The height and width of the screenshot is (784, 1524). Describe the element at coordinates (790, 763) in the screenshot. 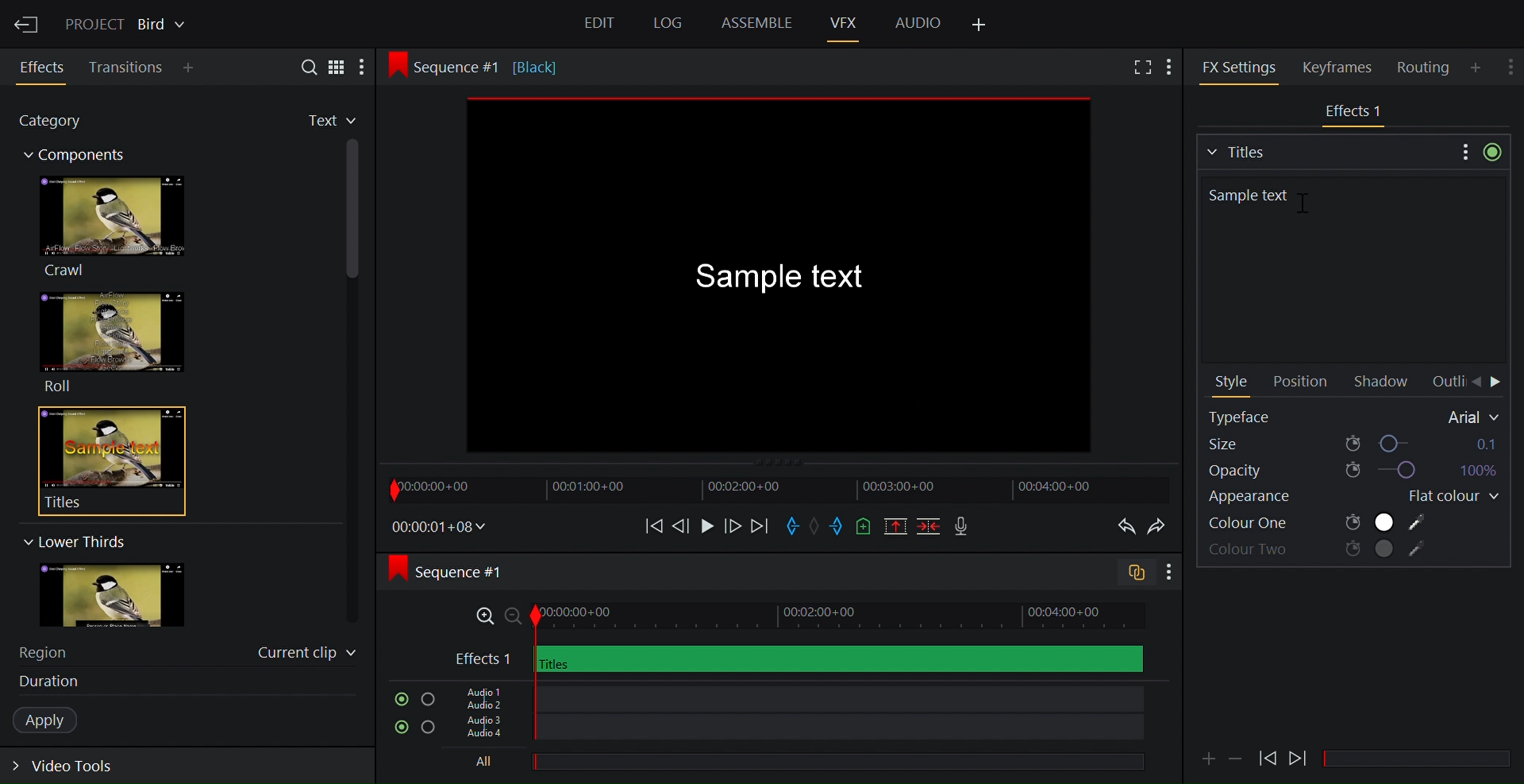

I see `All` at that location.